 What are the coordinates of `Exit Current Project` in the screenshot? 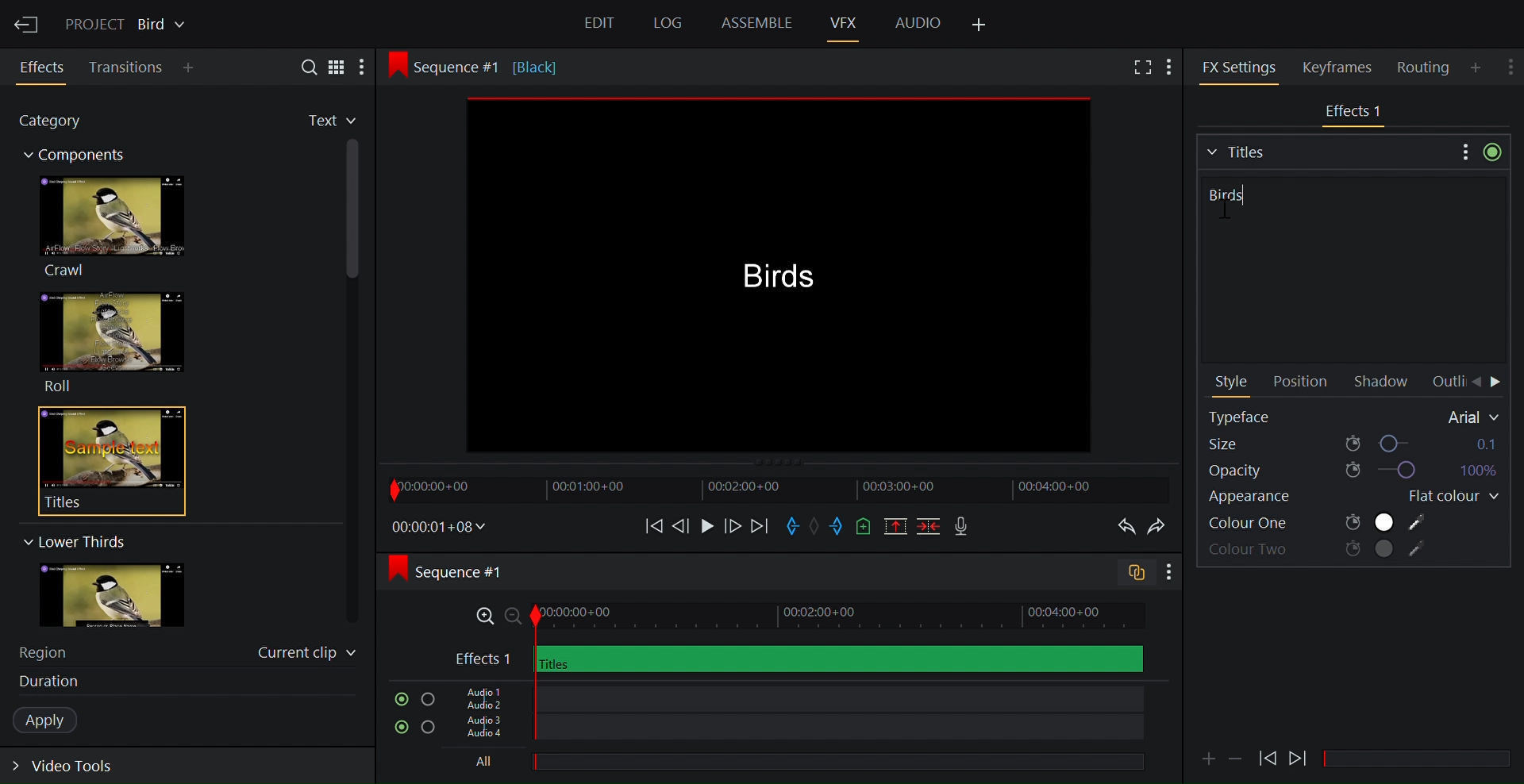 It's located at (28, 22).